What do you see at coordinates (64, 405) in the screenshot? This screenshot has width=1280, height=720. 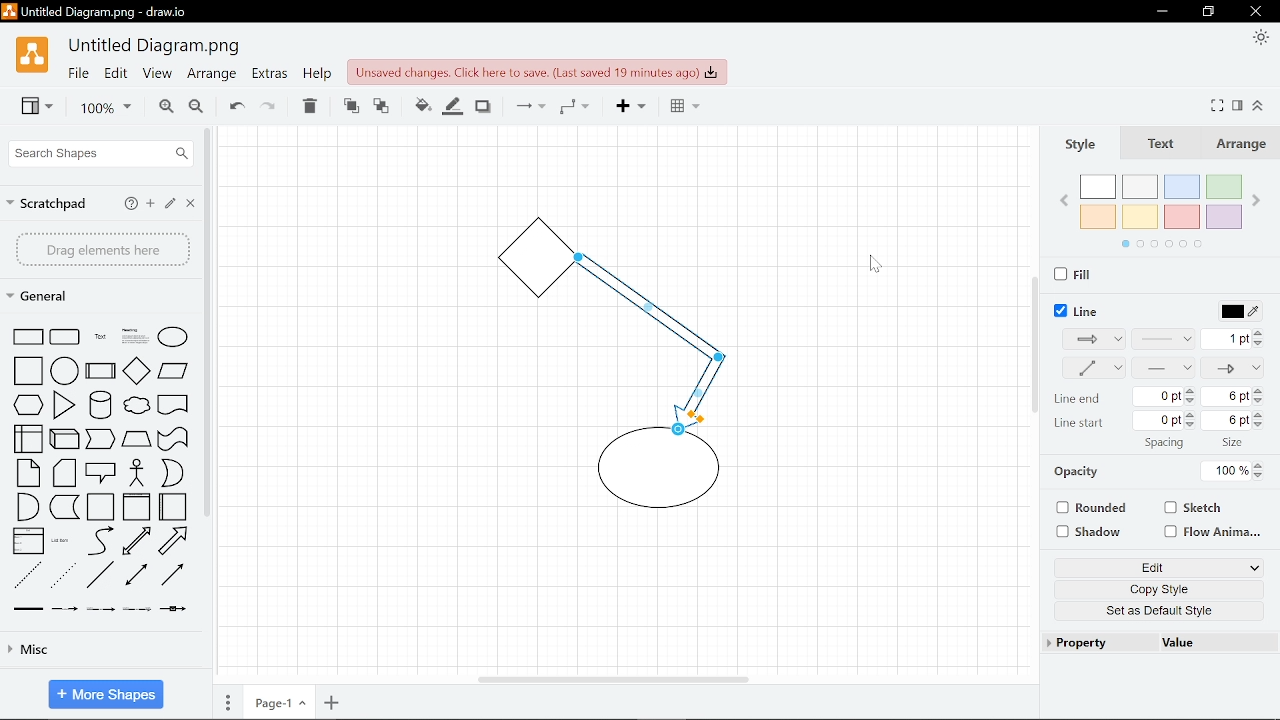 I see `shape` at bounding box center [64, 405].